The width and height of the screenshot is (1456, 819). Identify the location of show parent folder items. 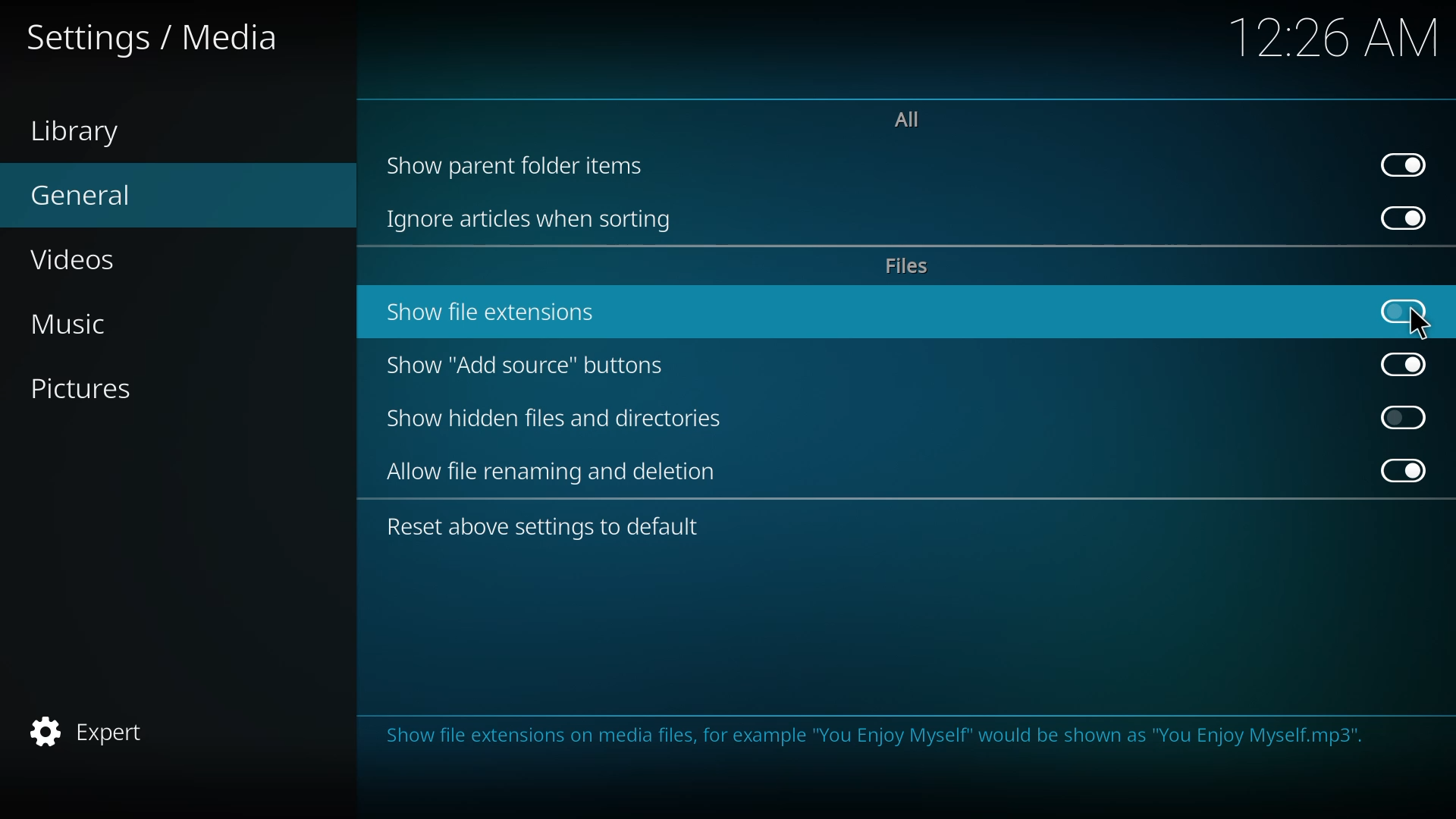
(519, 164).